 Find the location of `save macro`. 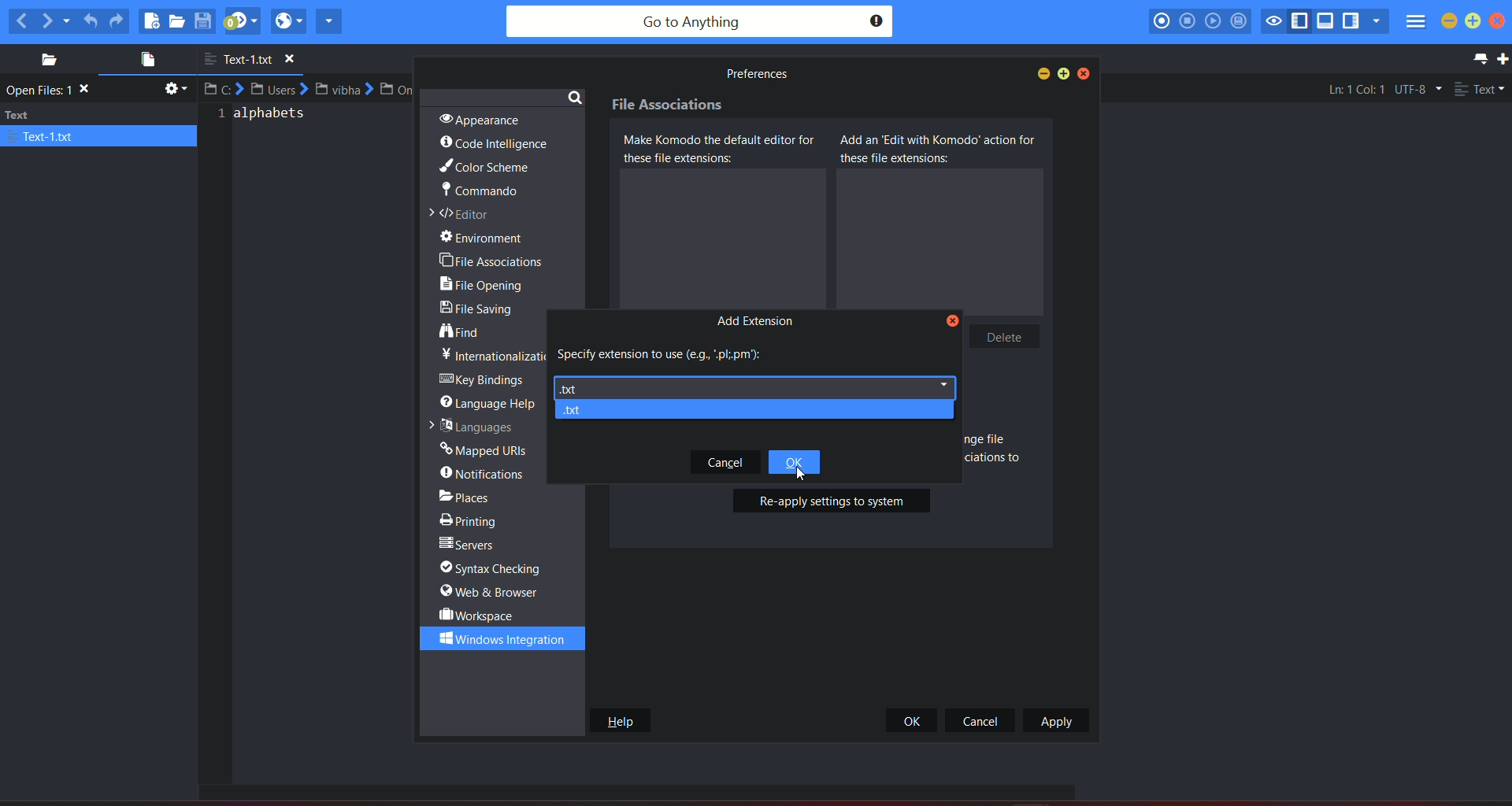

save macro is located at coordinates (1239, 22).